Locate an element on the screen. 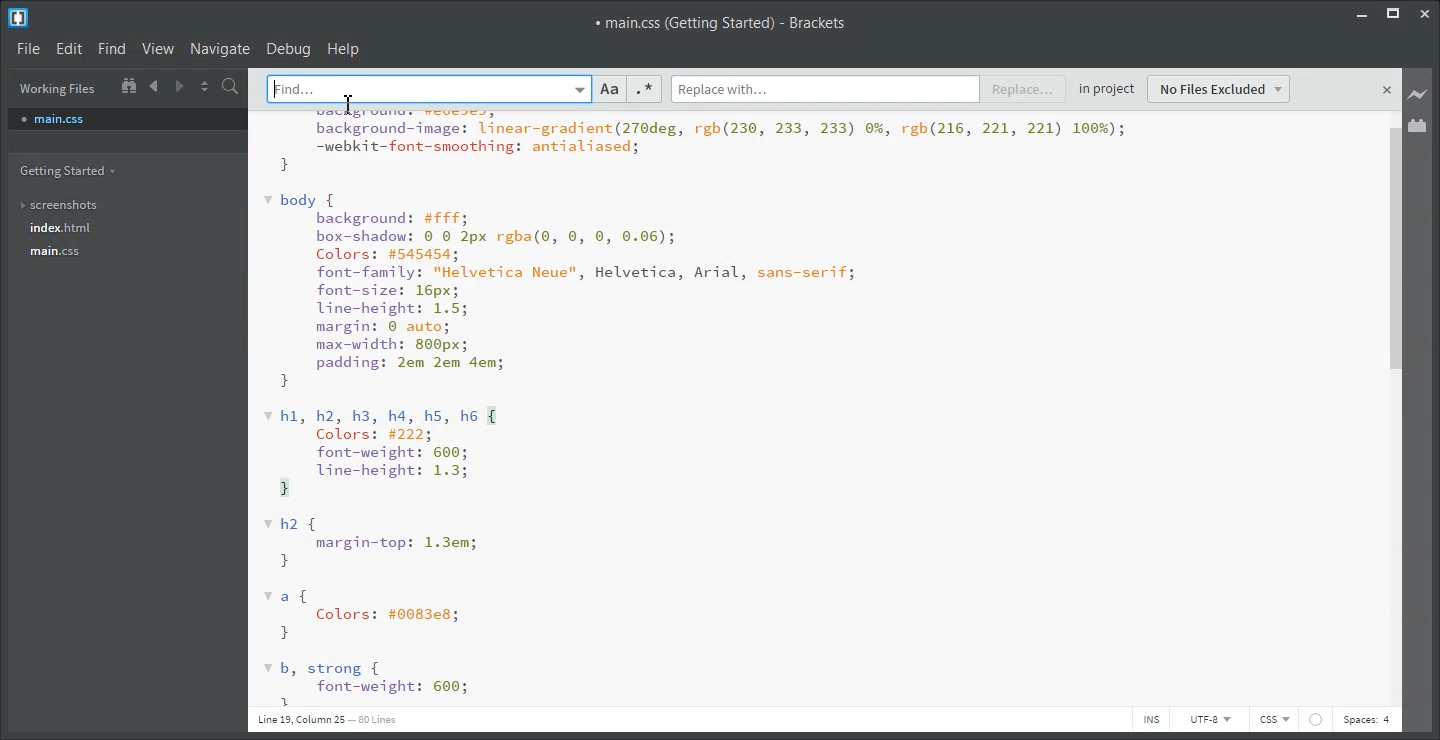 The image size is (1440, 740). Getting Started is located at coordinates (72, 171).